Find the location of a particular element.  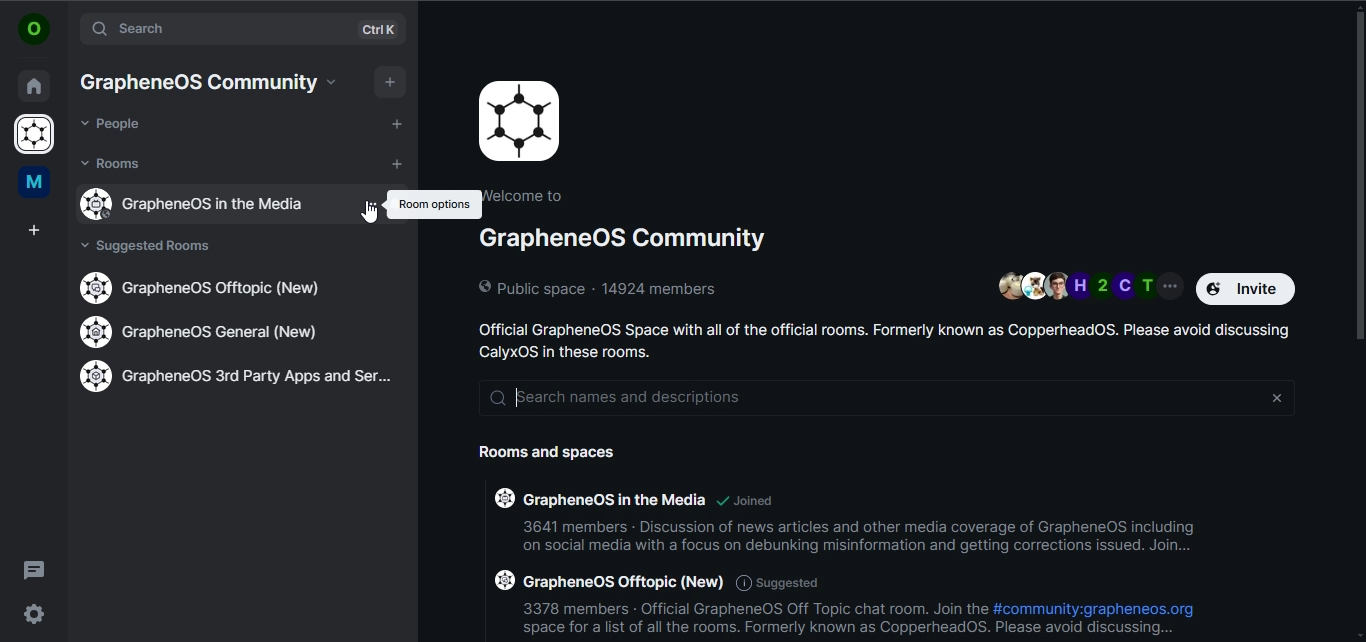

welcome to GrapheneOS Community is located at coordinates (627, 219).